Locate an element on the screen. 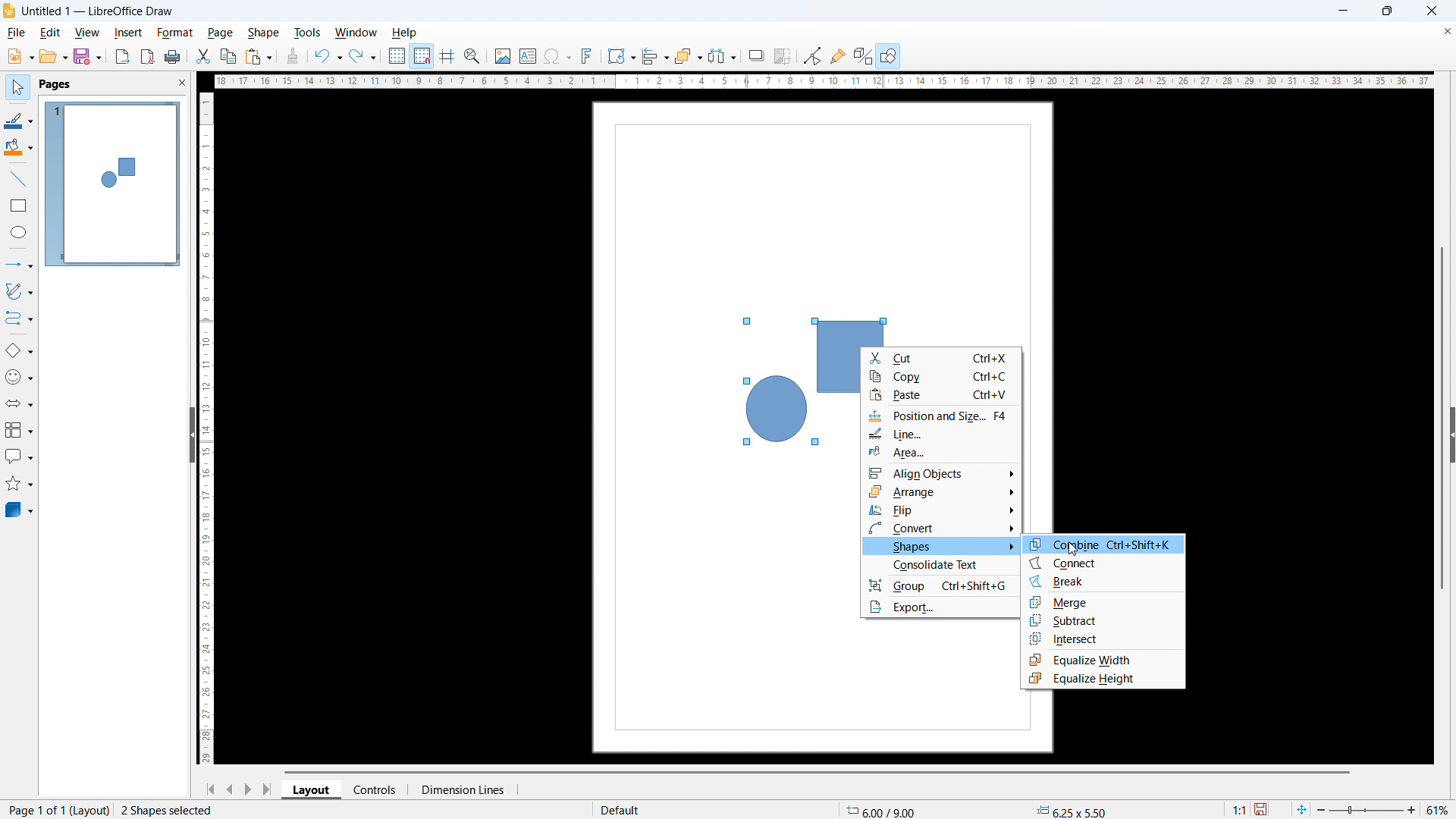  save is located at coordinates (88, 57).